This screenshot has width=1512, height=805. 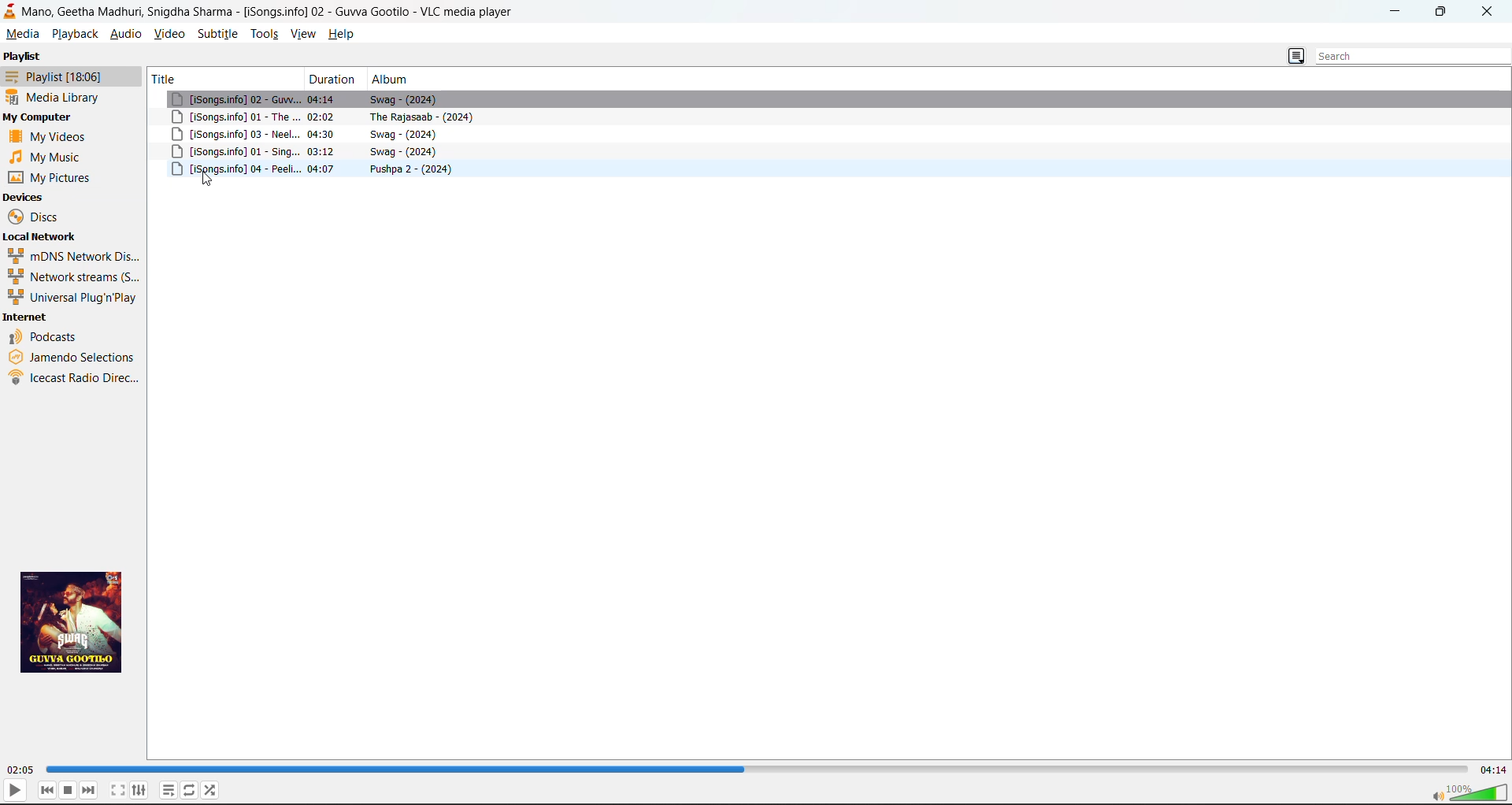 I want to click on pictures, so click(x=54, y=177).